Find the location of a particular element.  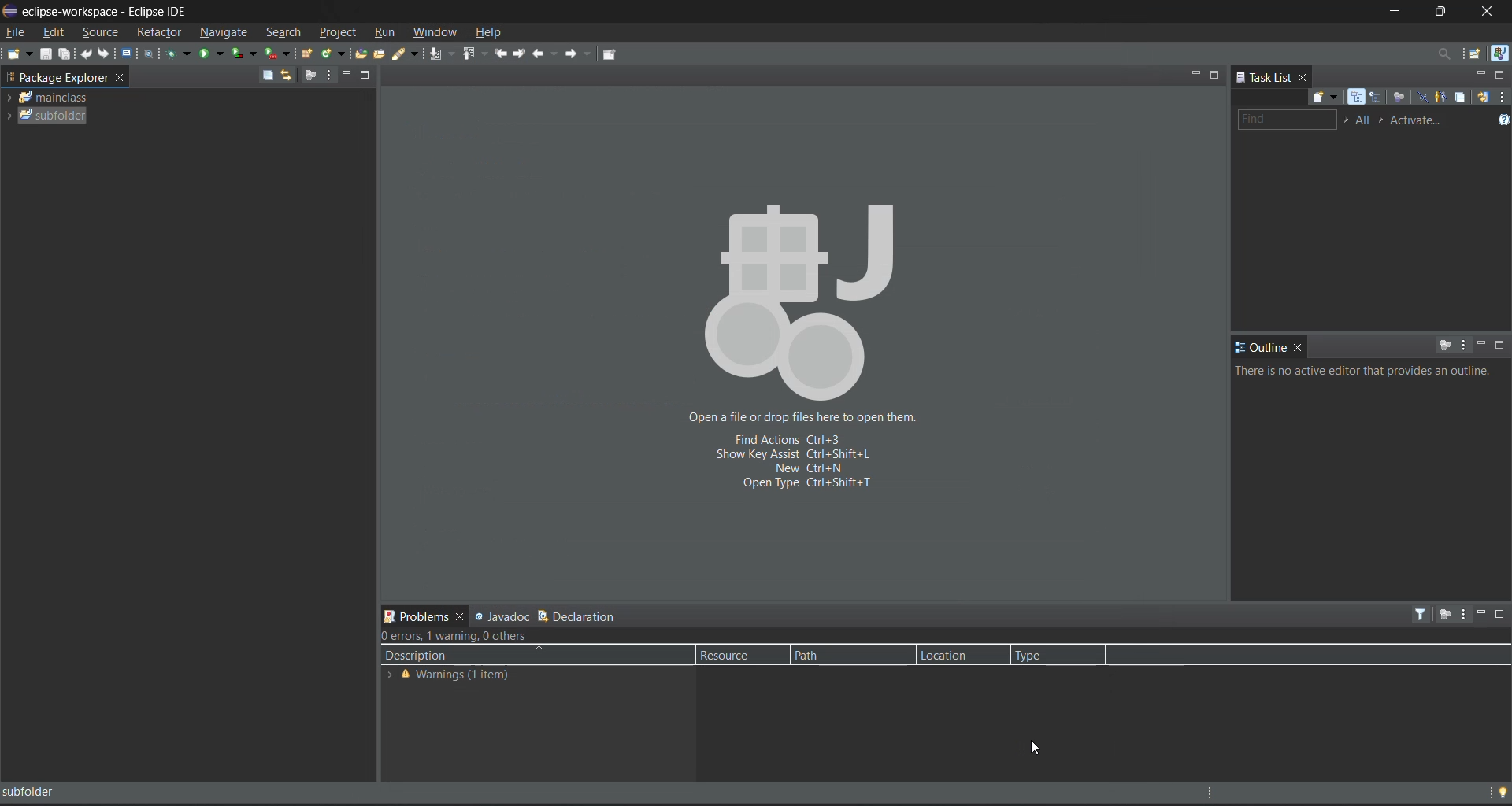

tip of the day is located at coordinates (1501, 788).